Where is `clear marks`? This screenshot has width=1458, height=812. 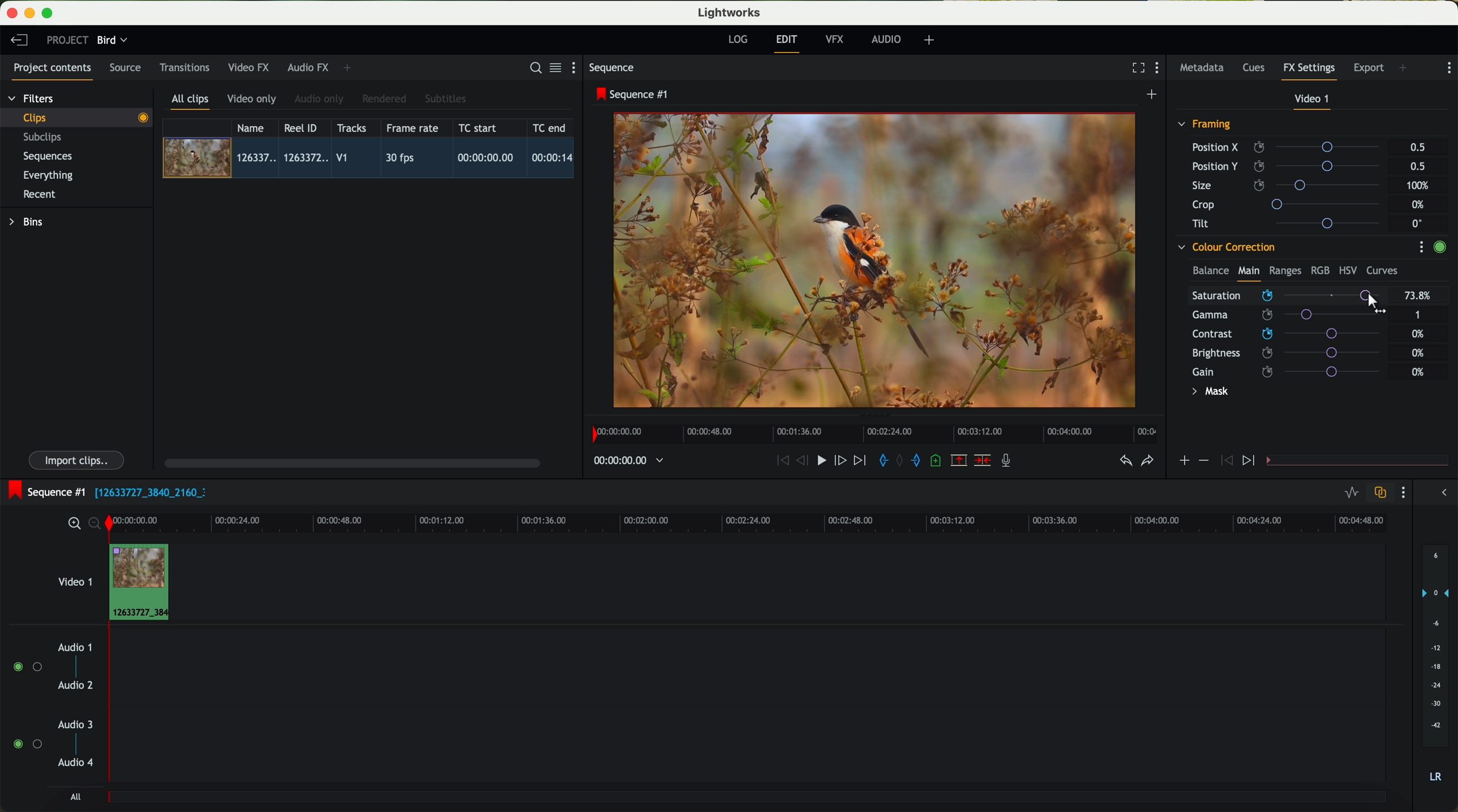 clear marks is located at coordinates (900, 461).